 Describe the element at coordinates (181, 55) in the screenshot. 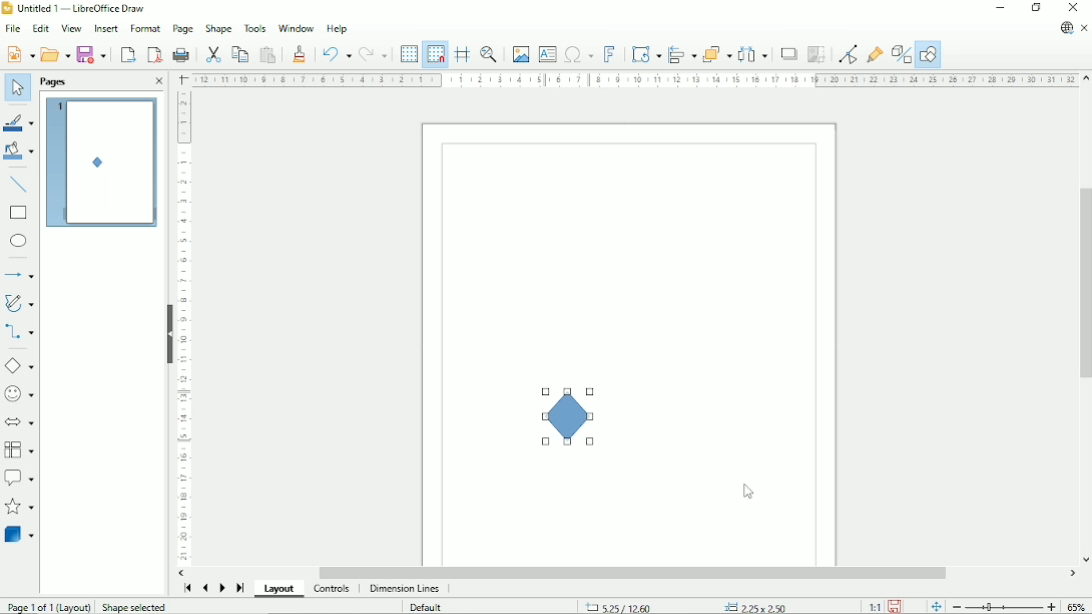

I see `Print` at that location.